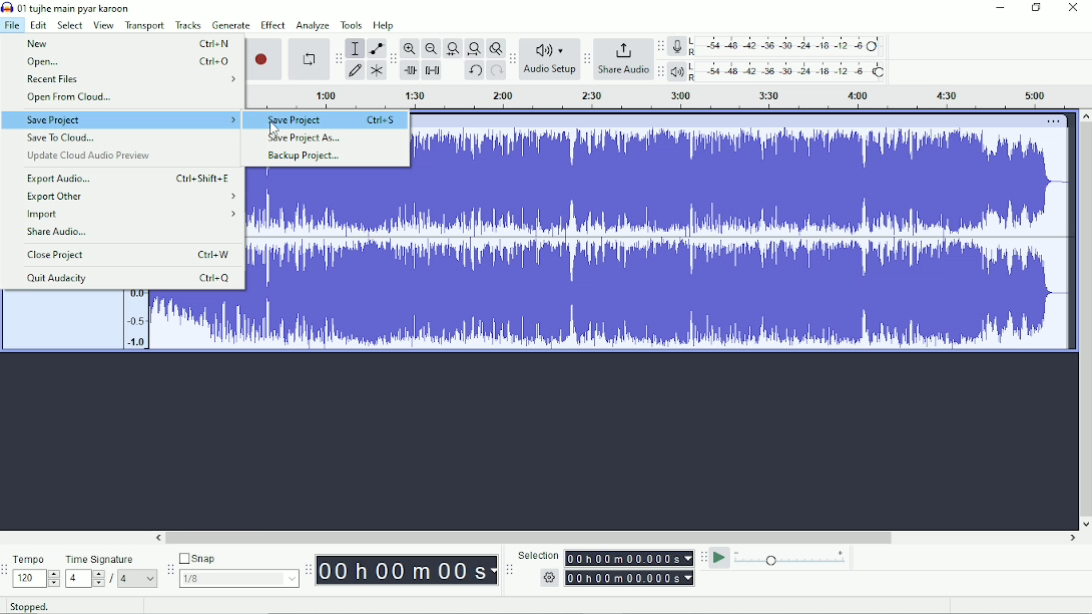 The image size is (1092, 614). I want to click on Minimize, so click(1001, 9).